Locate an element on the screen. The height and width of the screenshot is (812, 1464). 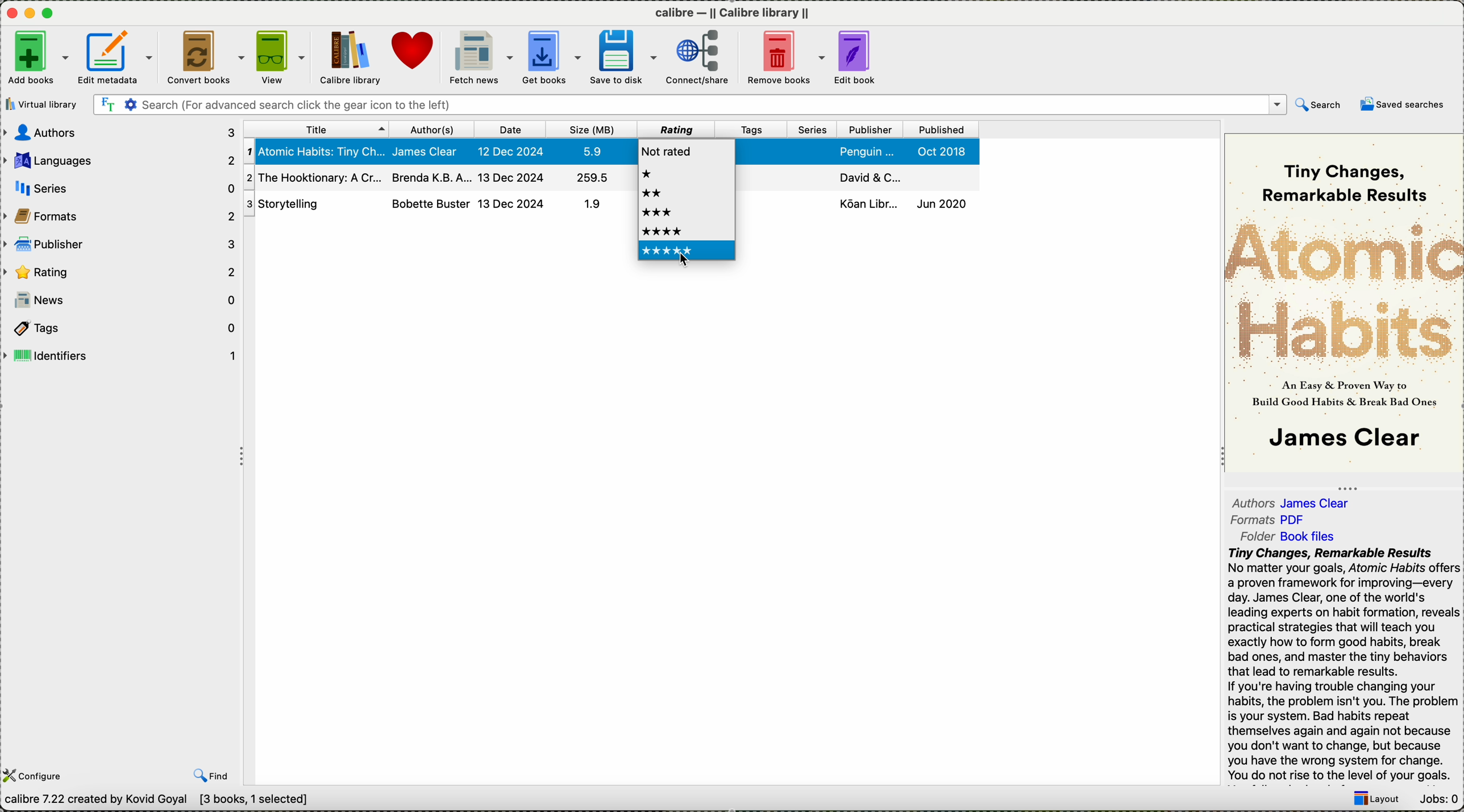
tags is located at coordinates (120, 328).